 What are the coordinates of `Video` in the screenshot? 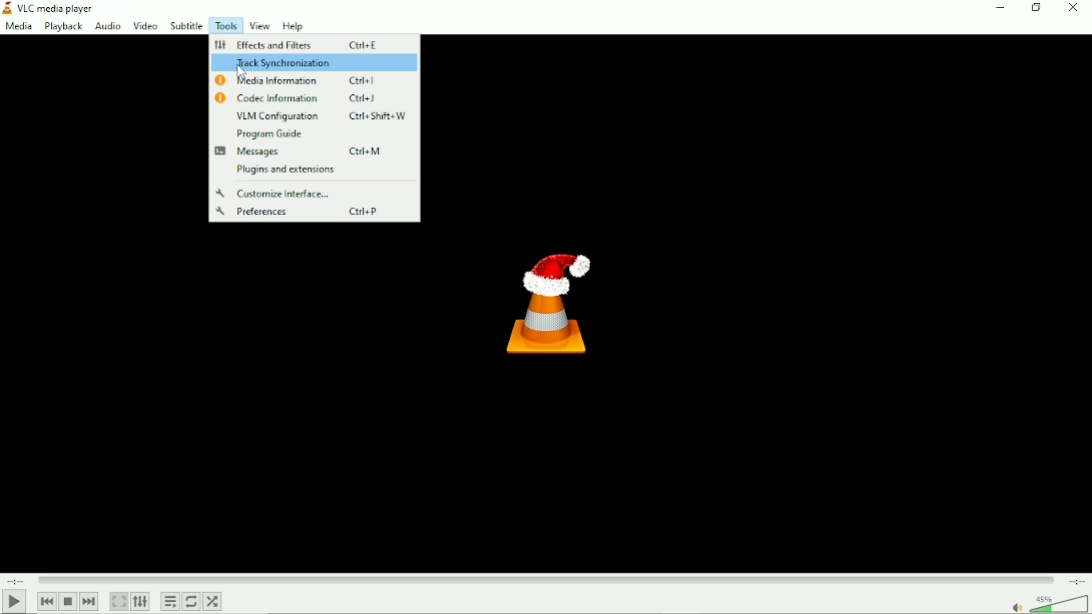 It's located at (145, 27).